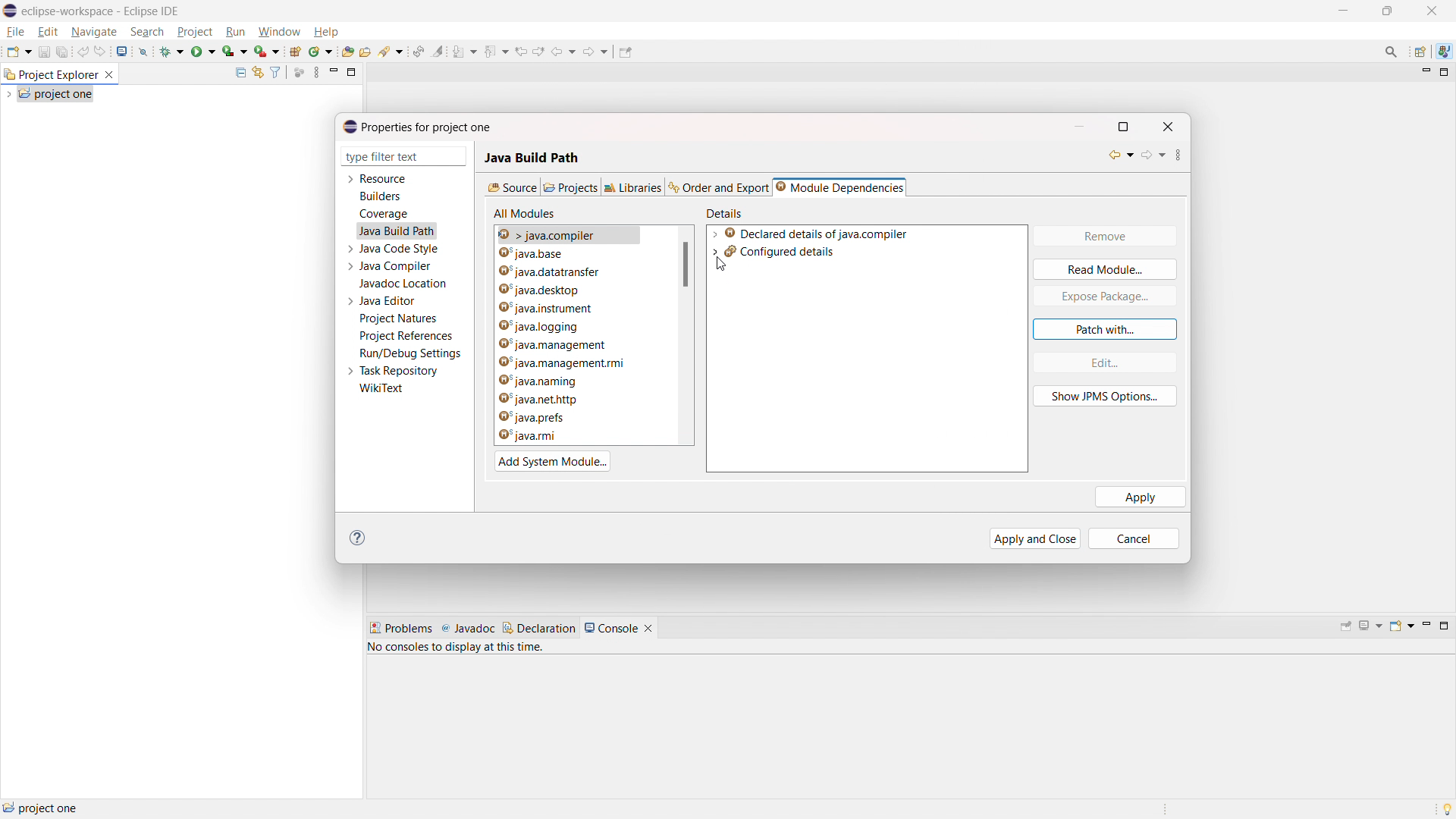 This screenshot has width=1456, height=819. Describe the element at coordinates (266, 52) in the screenshot. I see `use last tool` at that location.